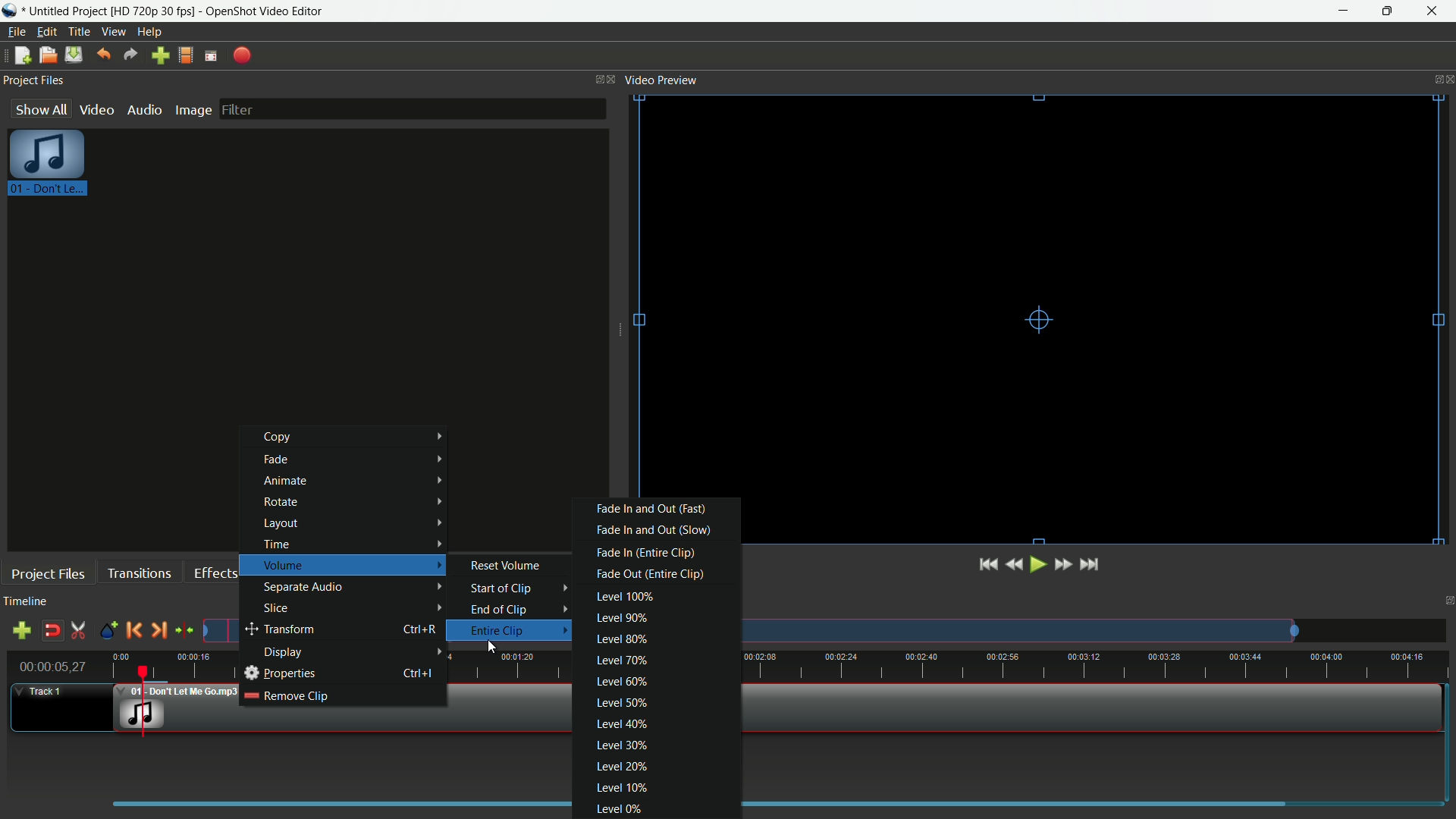 The width and height of the screenshot is (1456, 819). Describe the element at coordinates (419, 631) in the screenshot. I see `keyboard shortcut` at that location.